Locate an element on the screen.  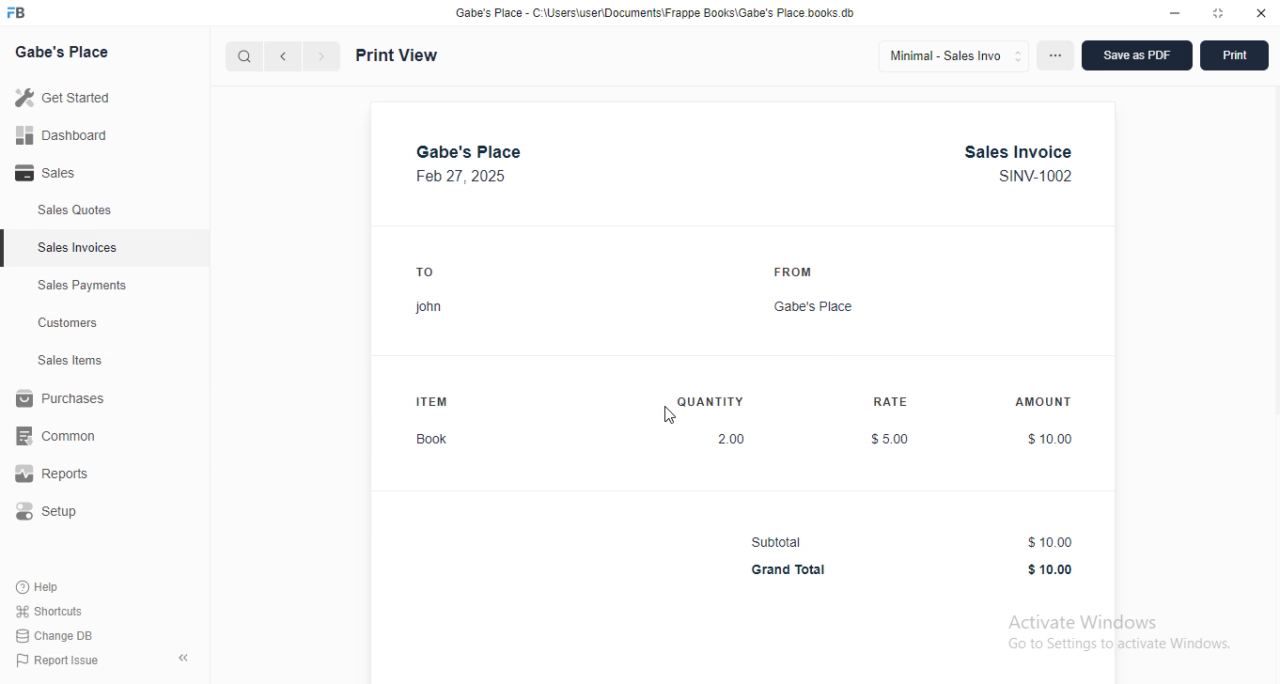
2.00 is located at coordinates (733, 439).